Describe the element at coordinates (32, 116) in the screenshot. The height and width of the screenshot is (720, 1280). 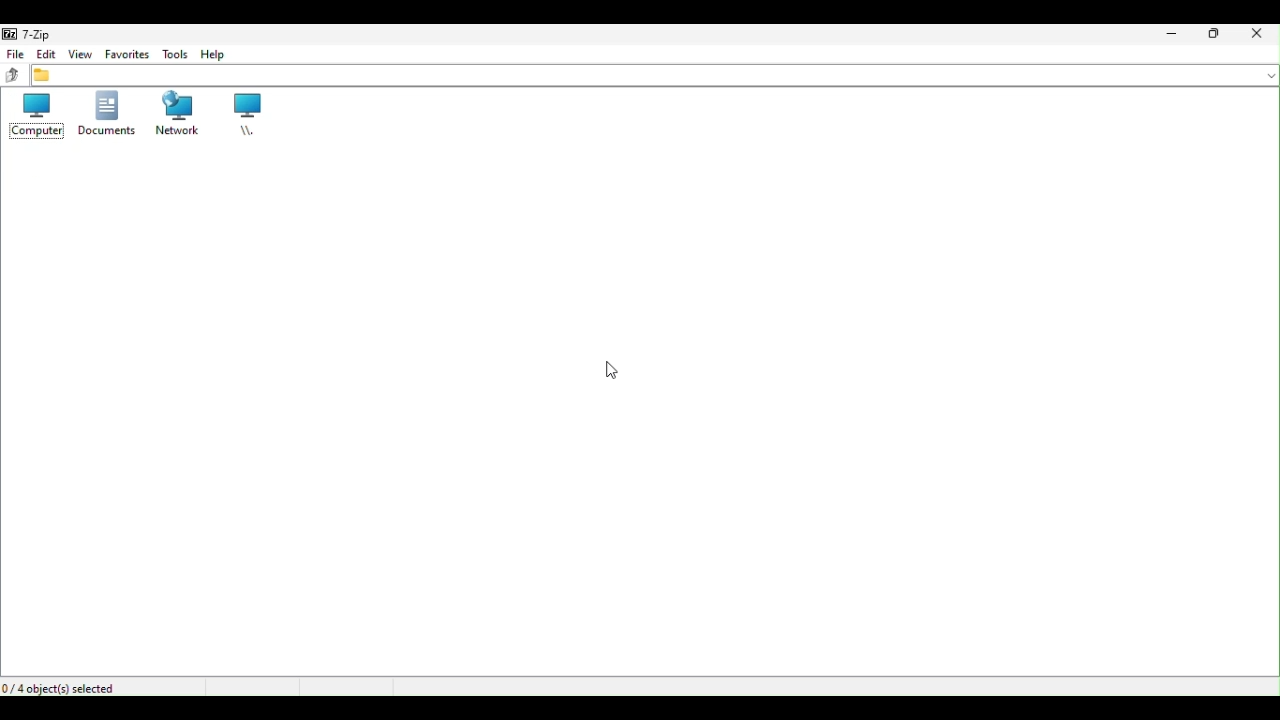
I see `Computer` at that location.